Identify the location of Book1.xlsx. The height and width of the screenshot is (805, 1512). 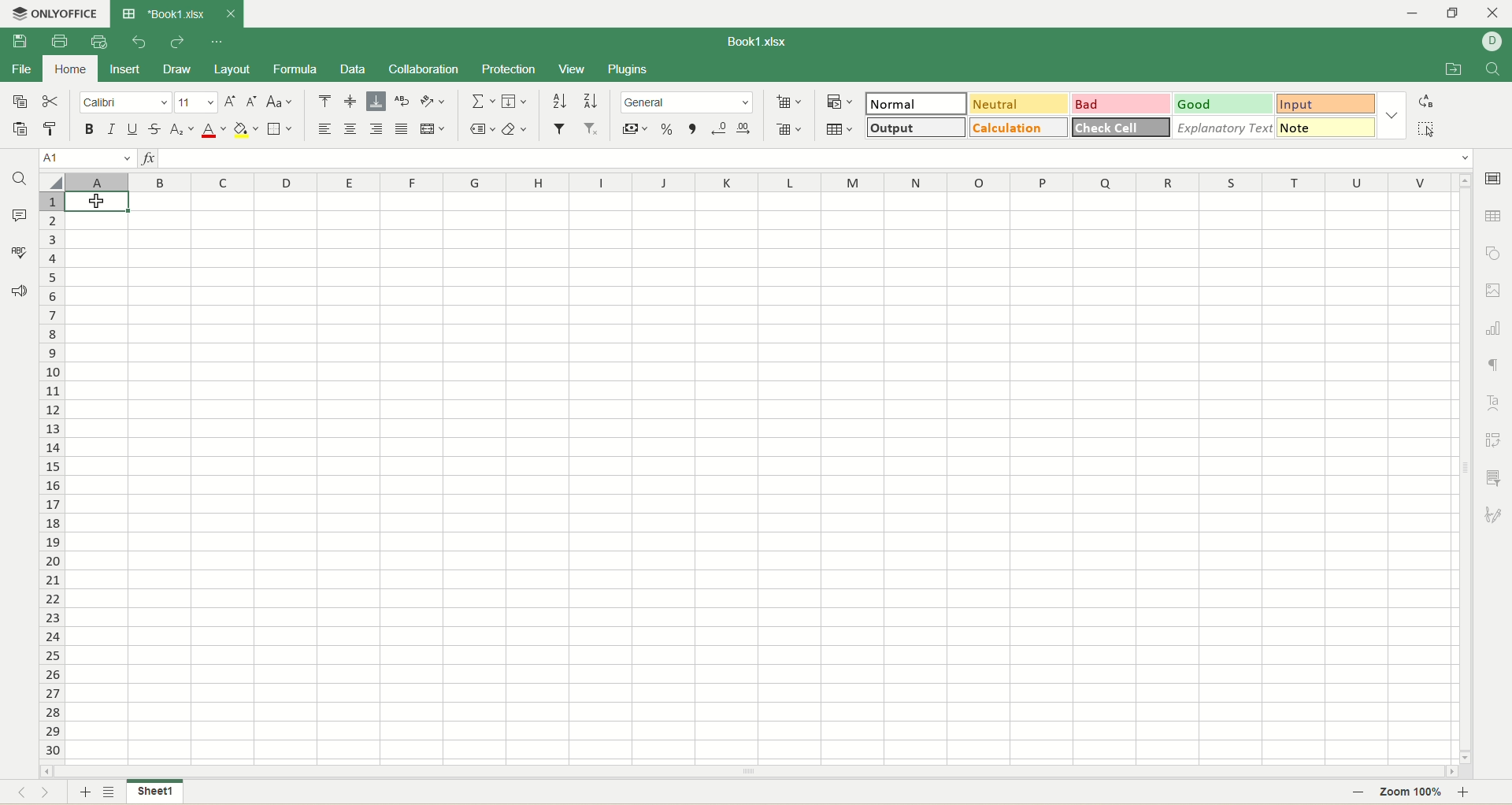
(751, 40).